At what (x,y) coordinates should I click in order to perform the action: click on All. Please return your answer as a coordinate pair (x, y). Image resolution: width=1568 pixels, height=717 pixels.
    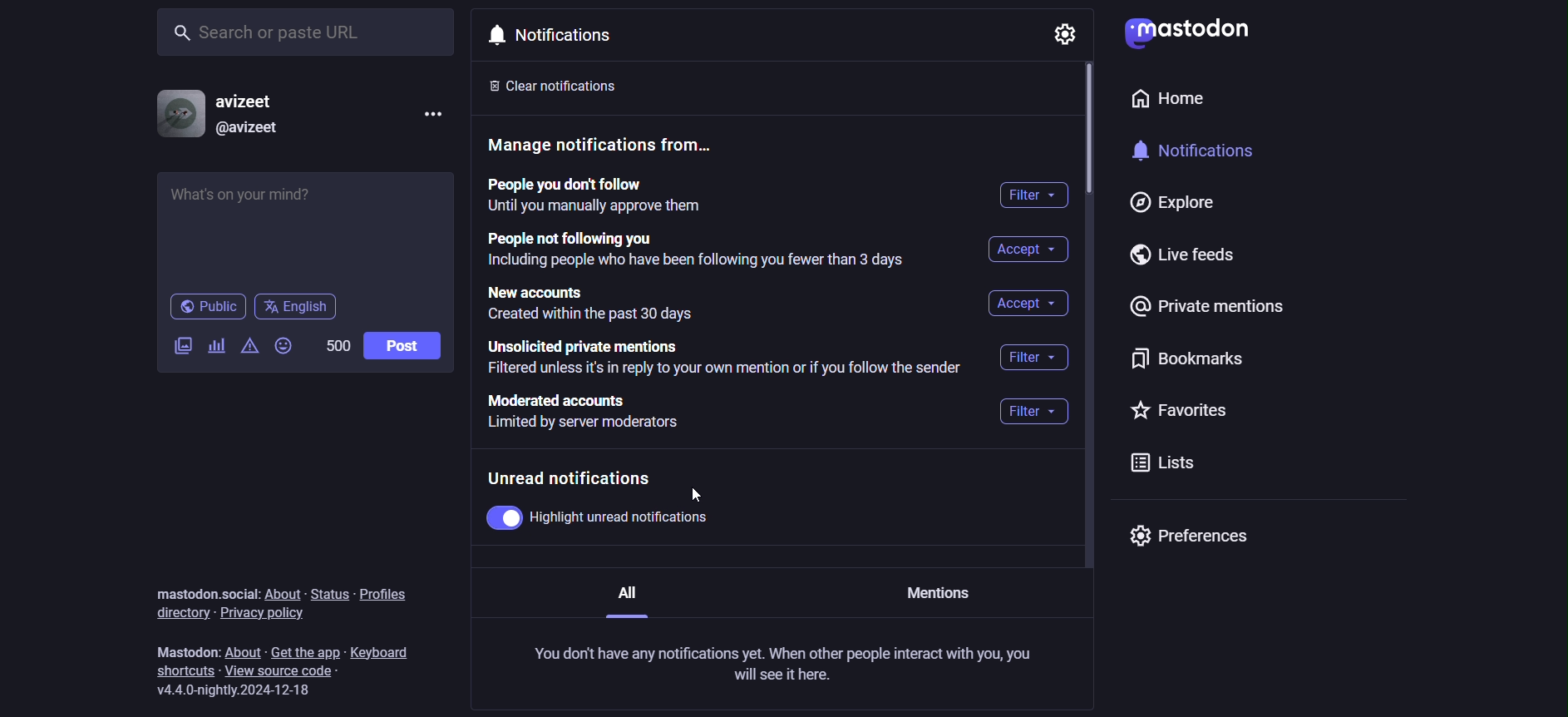
    Looking at the image, I should click on (629, 599).